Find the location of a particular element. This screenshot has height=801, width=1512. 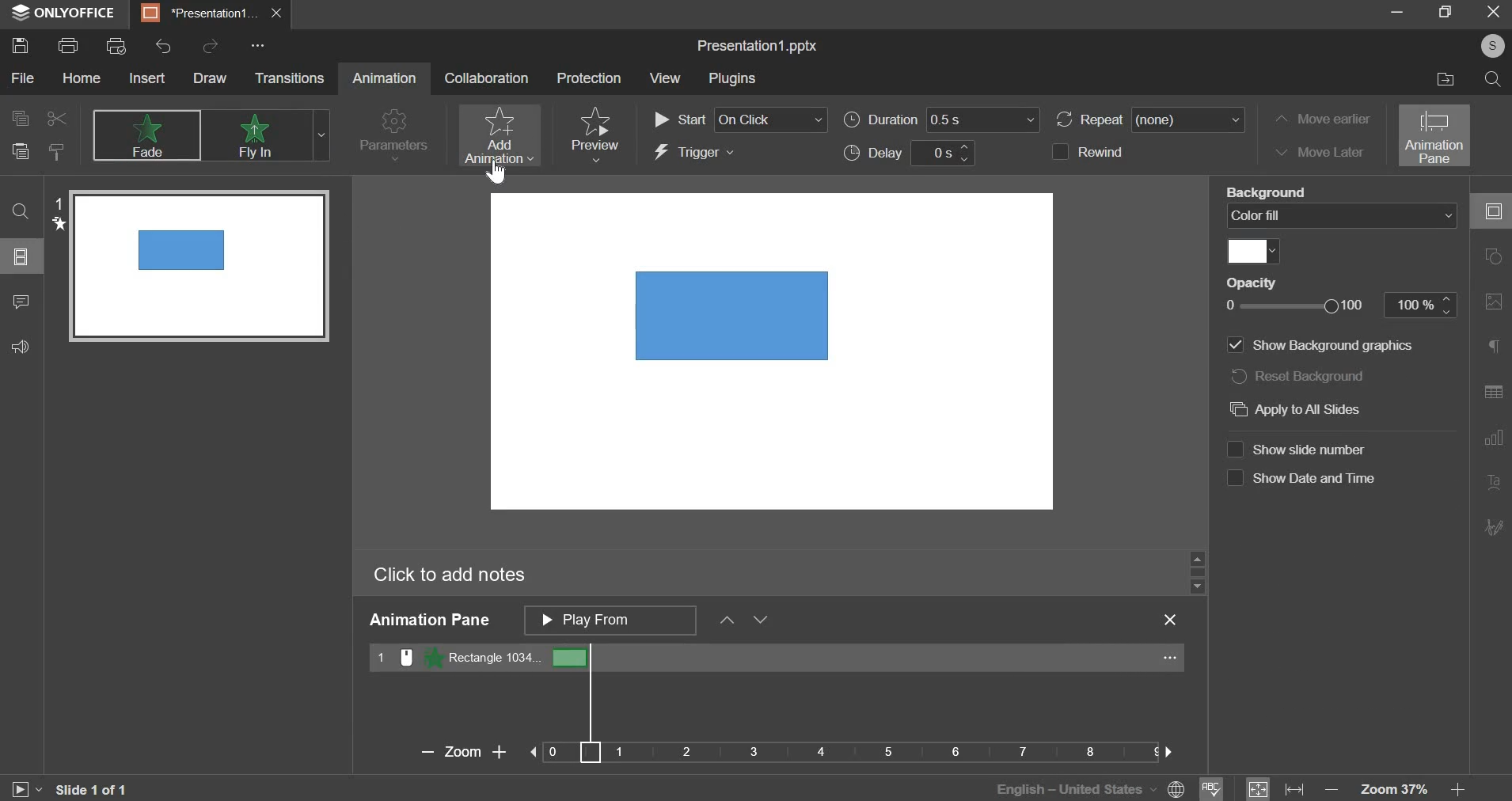

save is located at coordinates (22, 45).